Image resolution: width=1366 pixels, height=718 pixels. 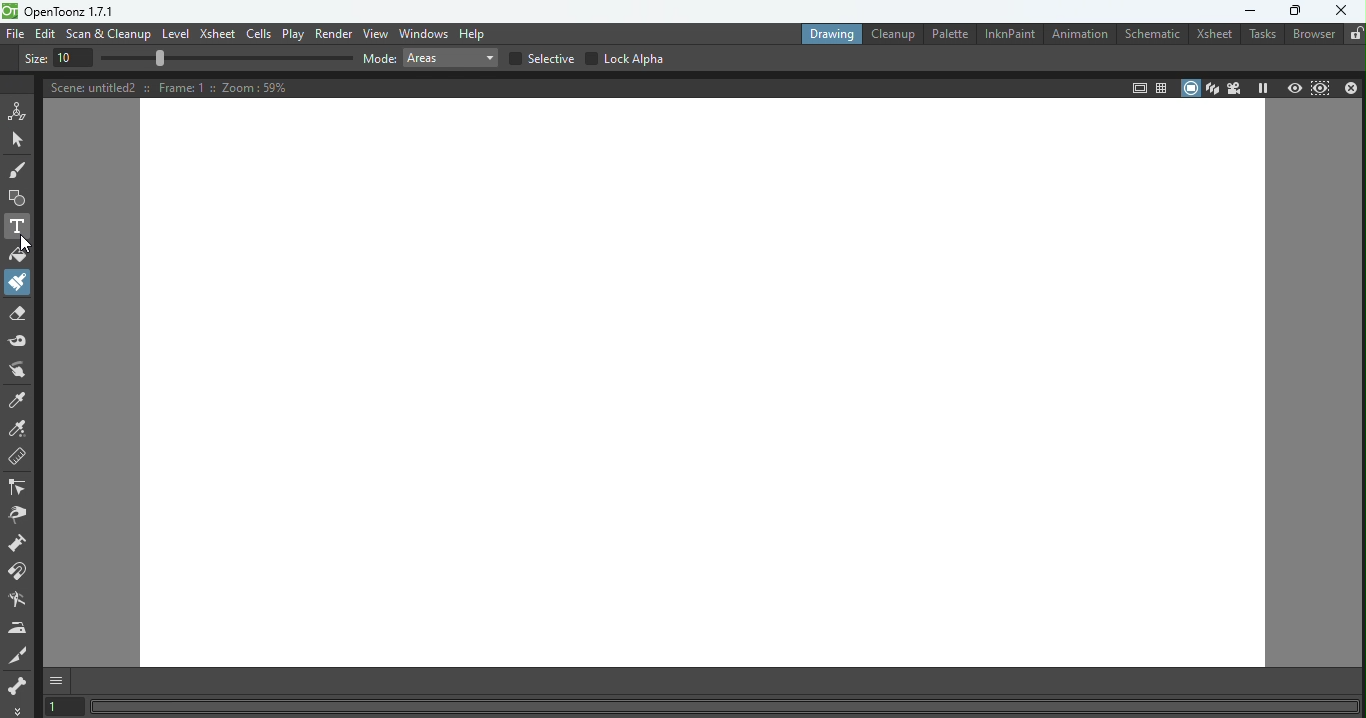 What do you see at coordinates (19, 653) in the screenshot?
I see `Cutter tool` at bounding box center [19, 653].